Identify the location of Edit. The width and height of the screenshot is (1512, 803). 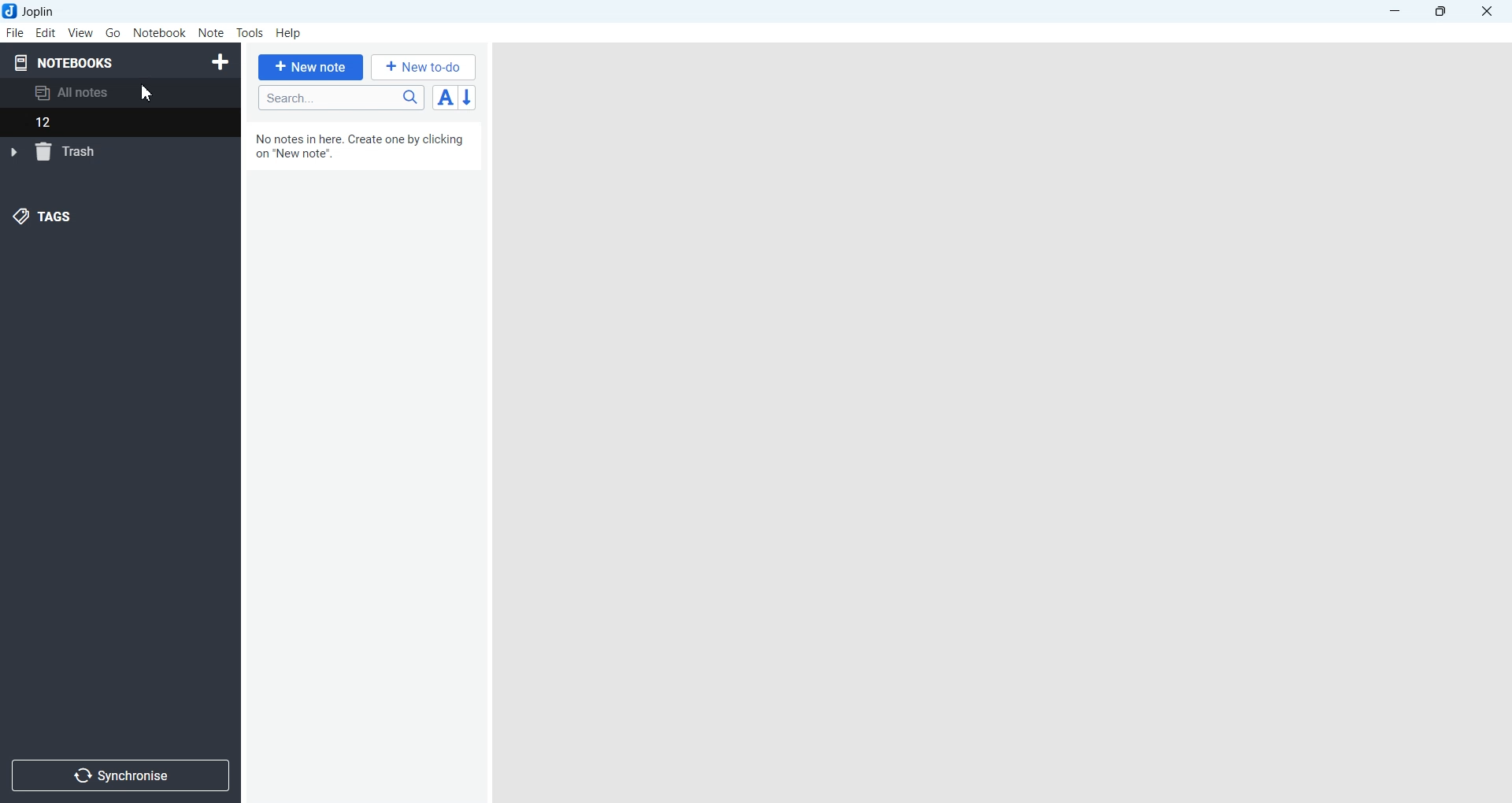
(46, 32).